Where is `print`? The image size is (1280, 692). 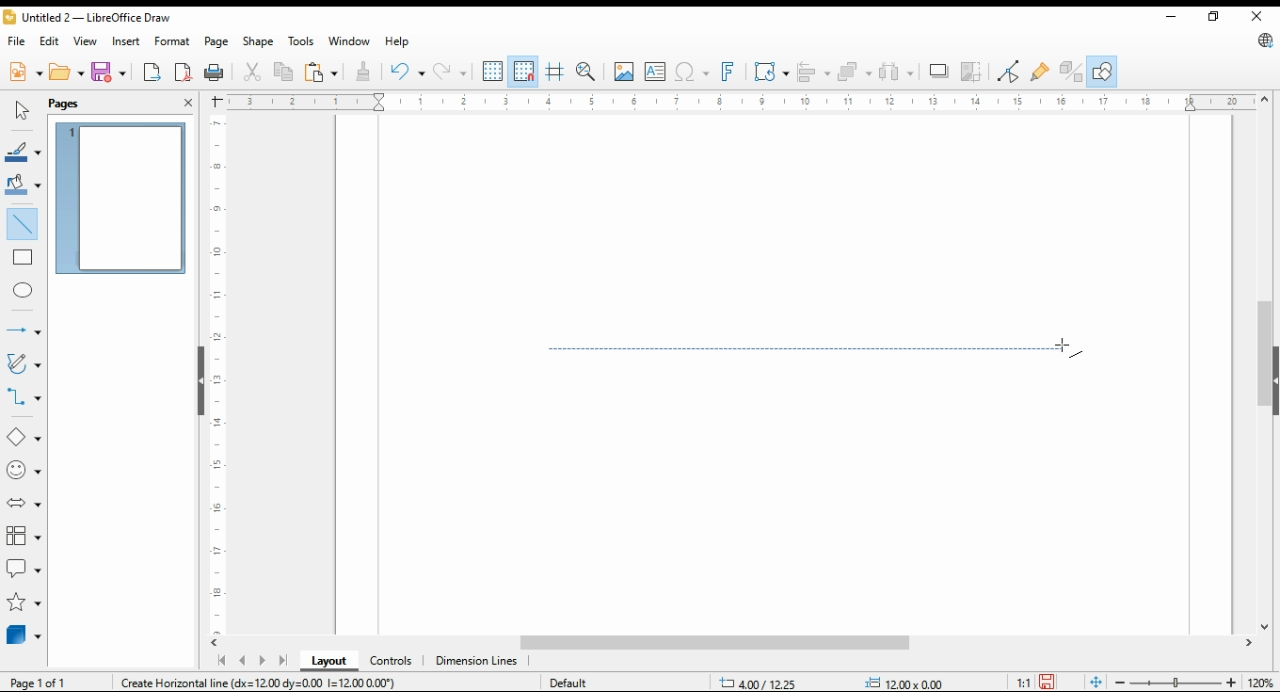 print is located at coordinates (215, 72).